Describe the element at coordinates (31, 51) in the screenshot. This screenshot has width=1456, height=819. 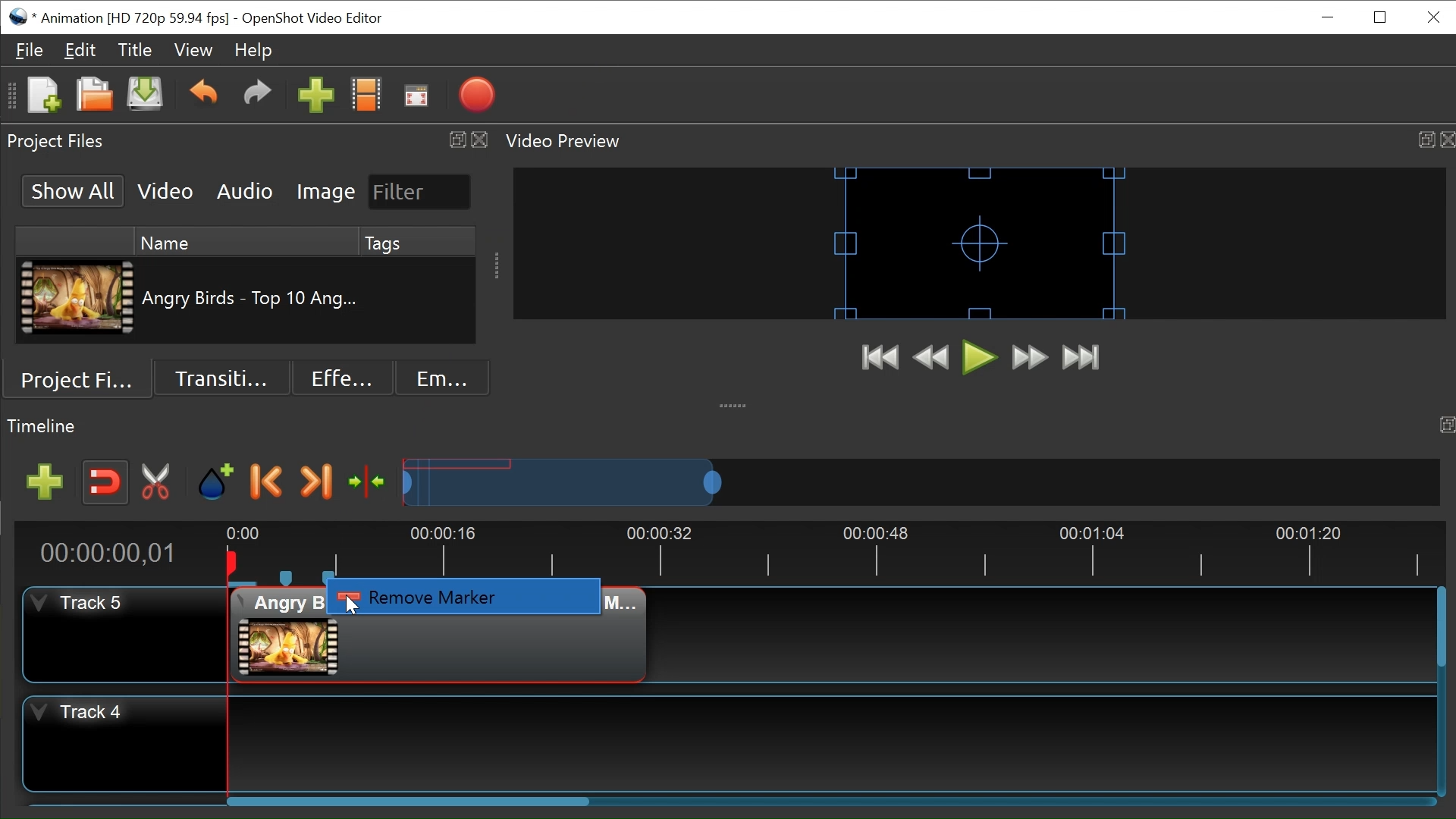
I see `File` at that location.